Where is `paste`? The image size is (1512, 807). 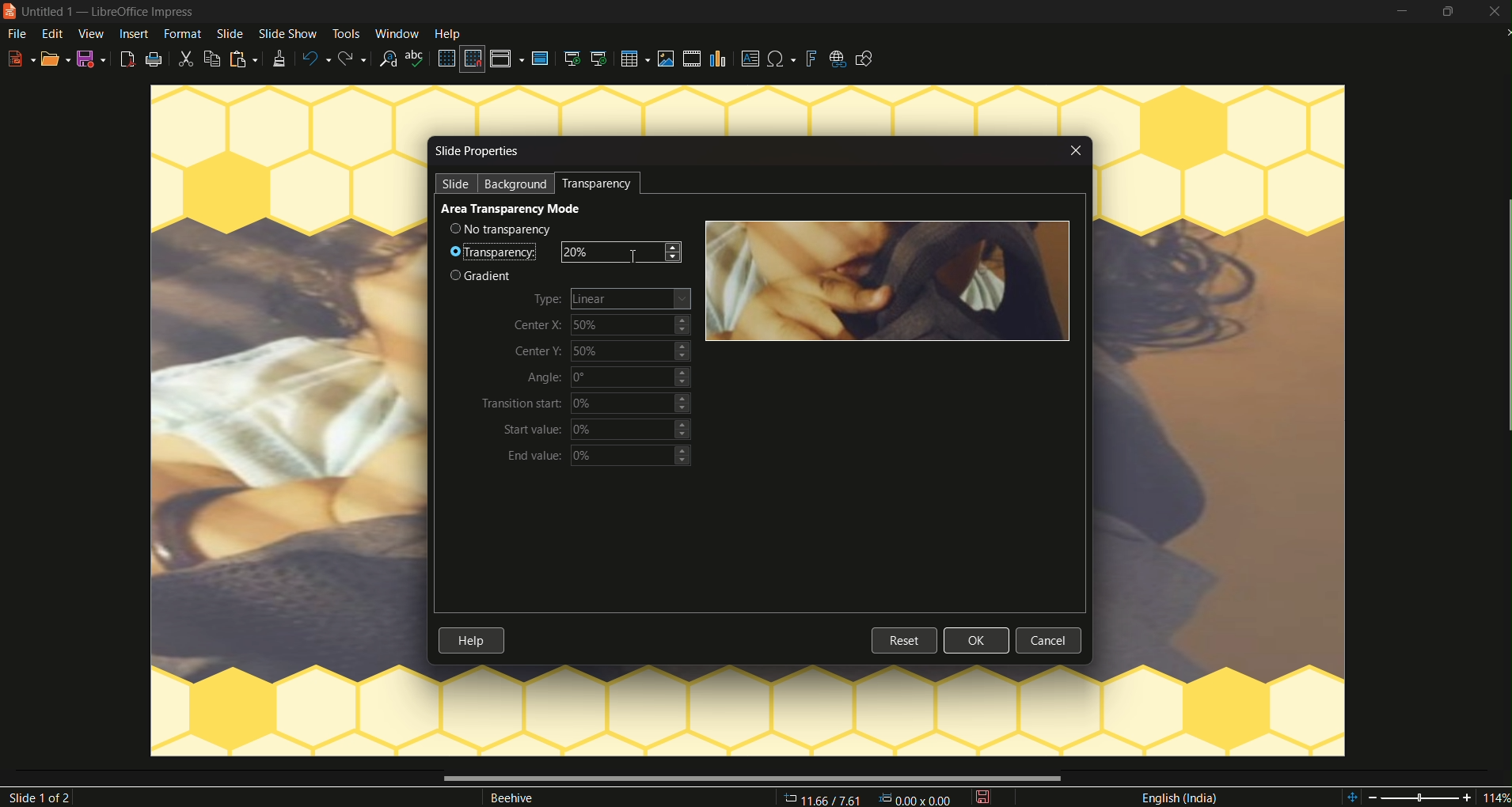
paste is located at coordinates (243, 60).